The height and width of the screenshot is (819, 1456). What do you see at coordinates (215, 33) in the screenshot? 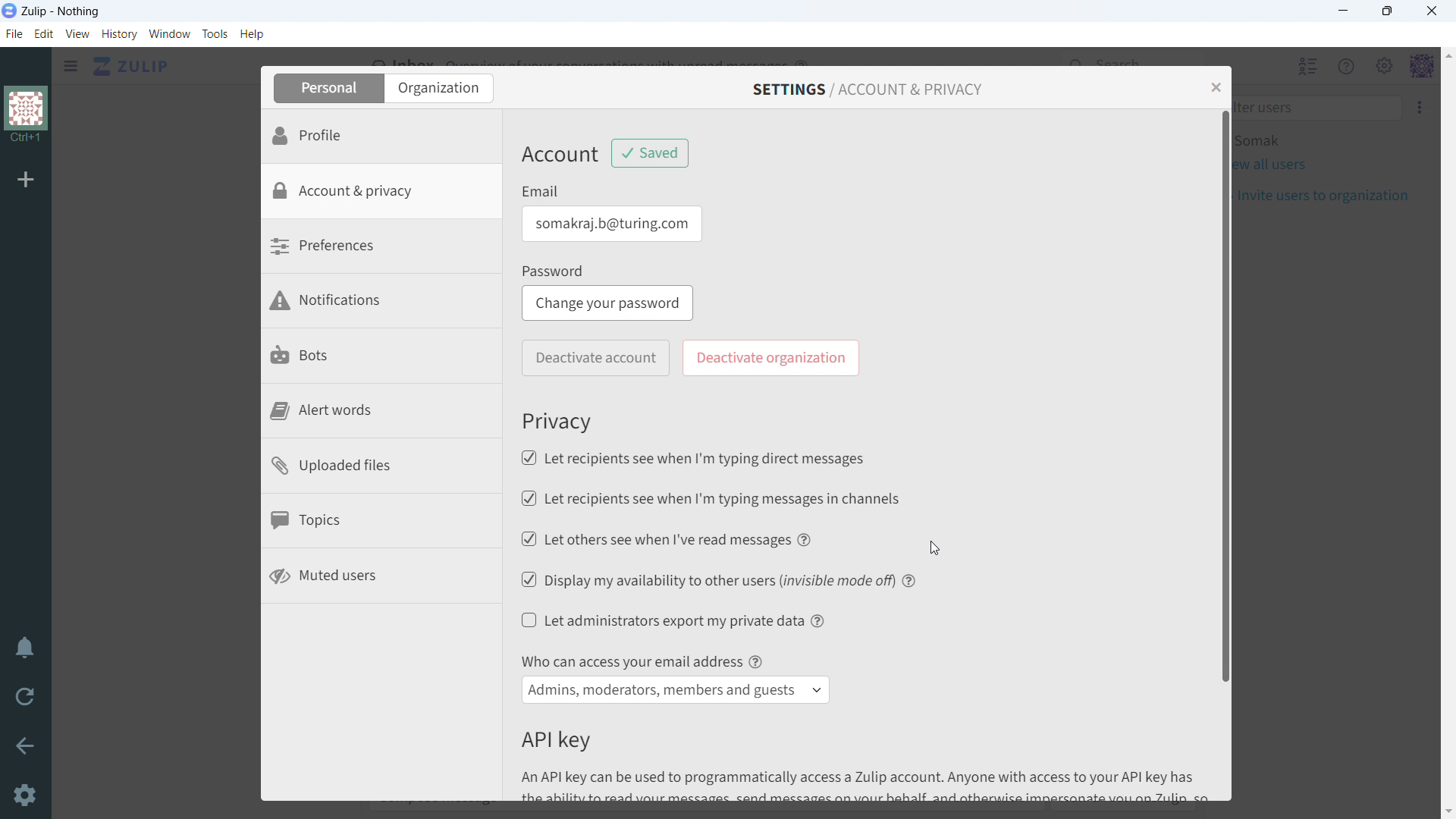
I see `tools` at bounding box center [215, 33].